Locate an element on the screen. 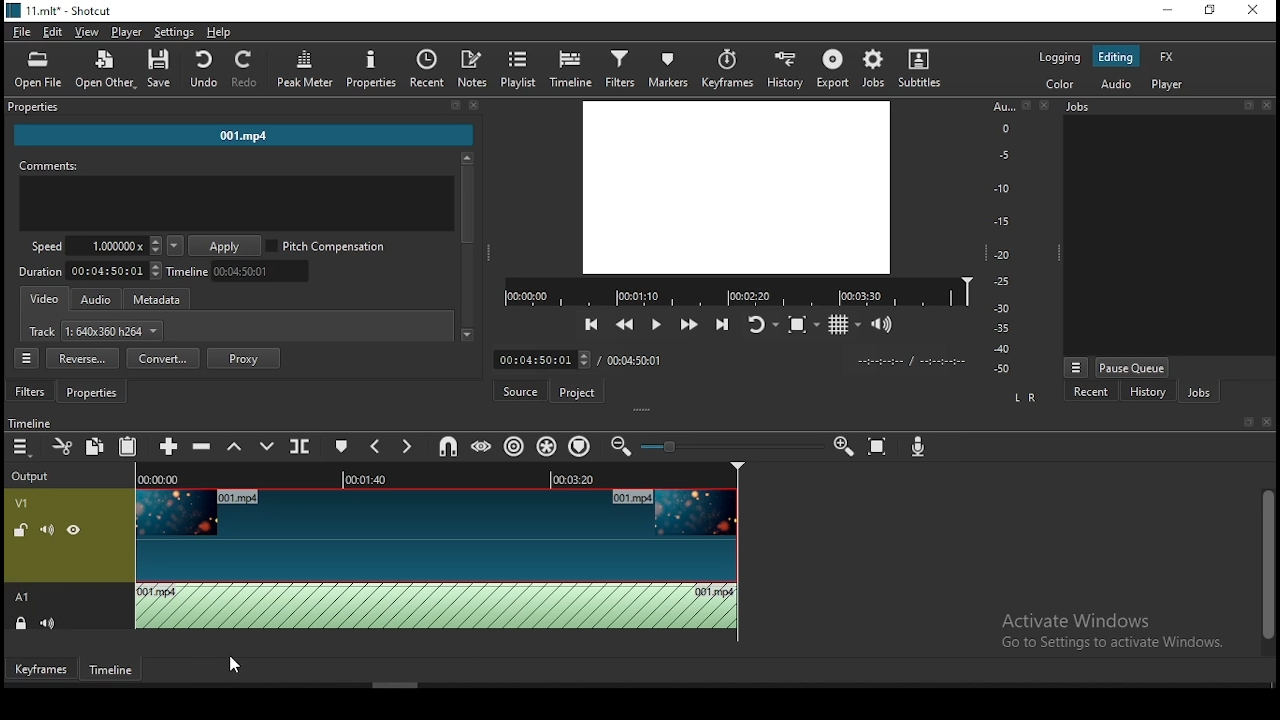  paste is located at coordinates (127, 447).